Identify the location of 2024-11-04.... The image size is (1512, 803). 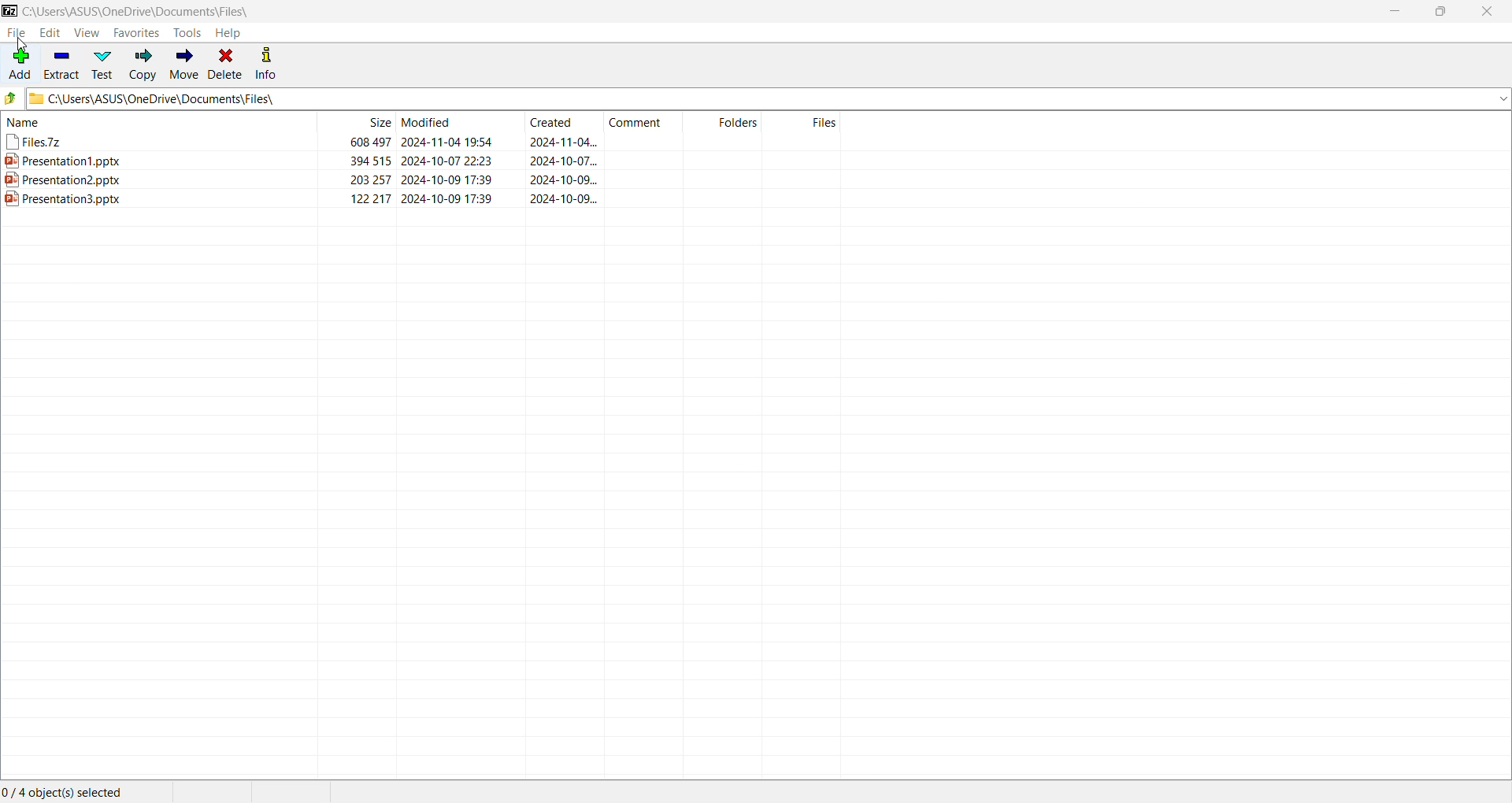
(561, 142).